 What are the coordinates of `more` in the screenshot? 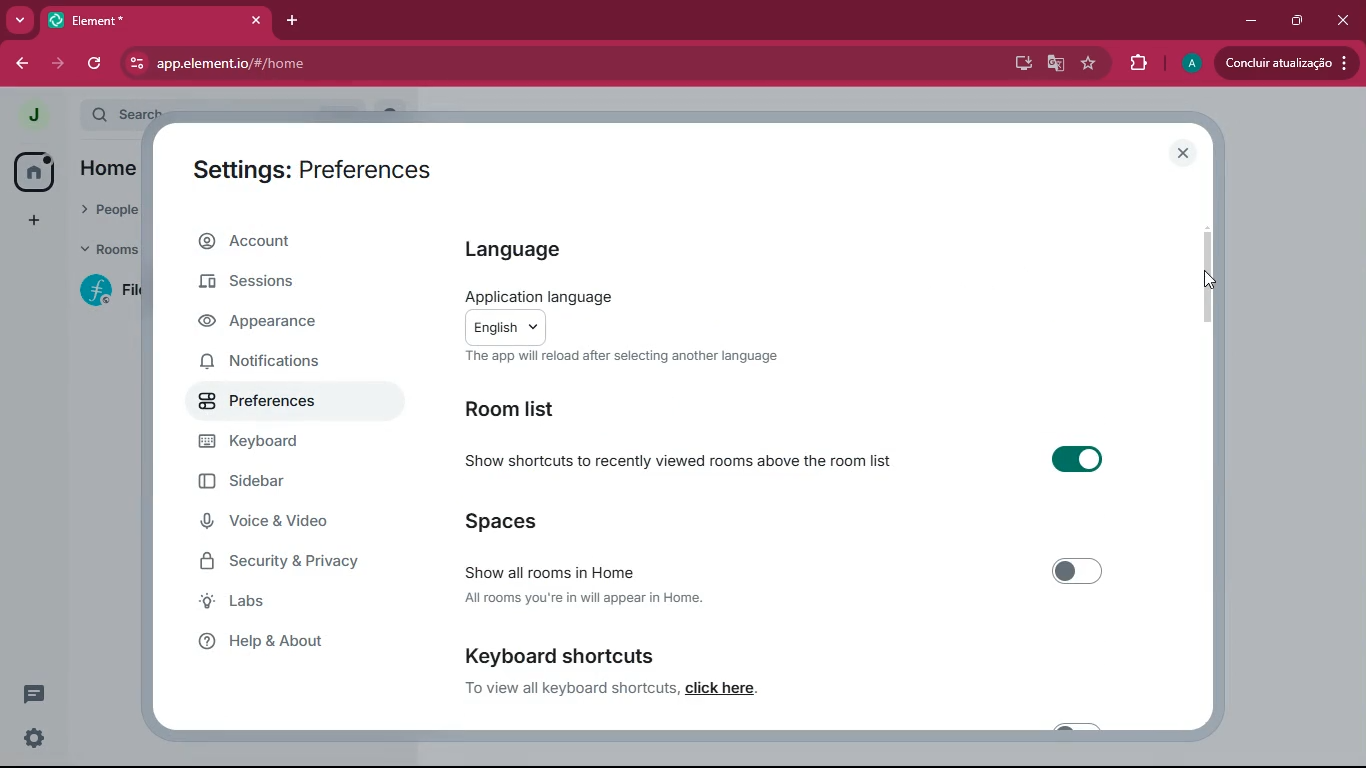 It's located at (20, 21).